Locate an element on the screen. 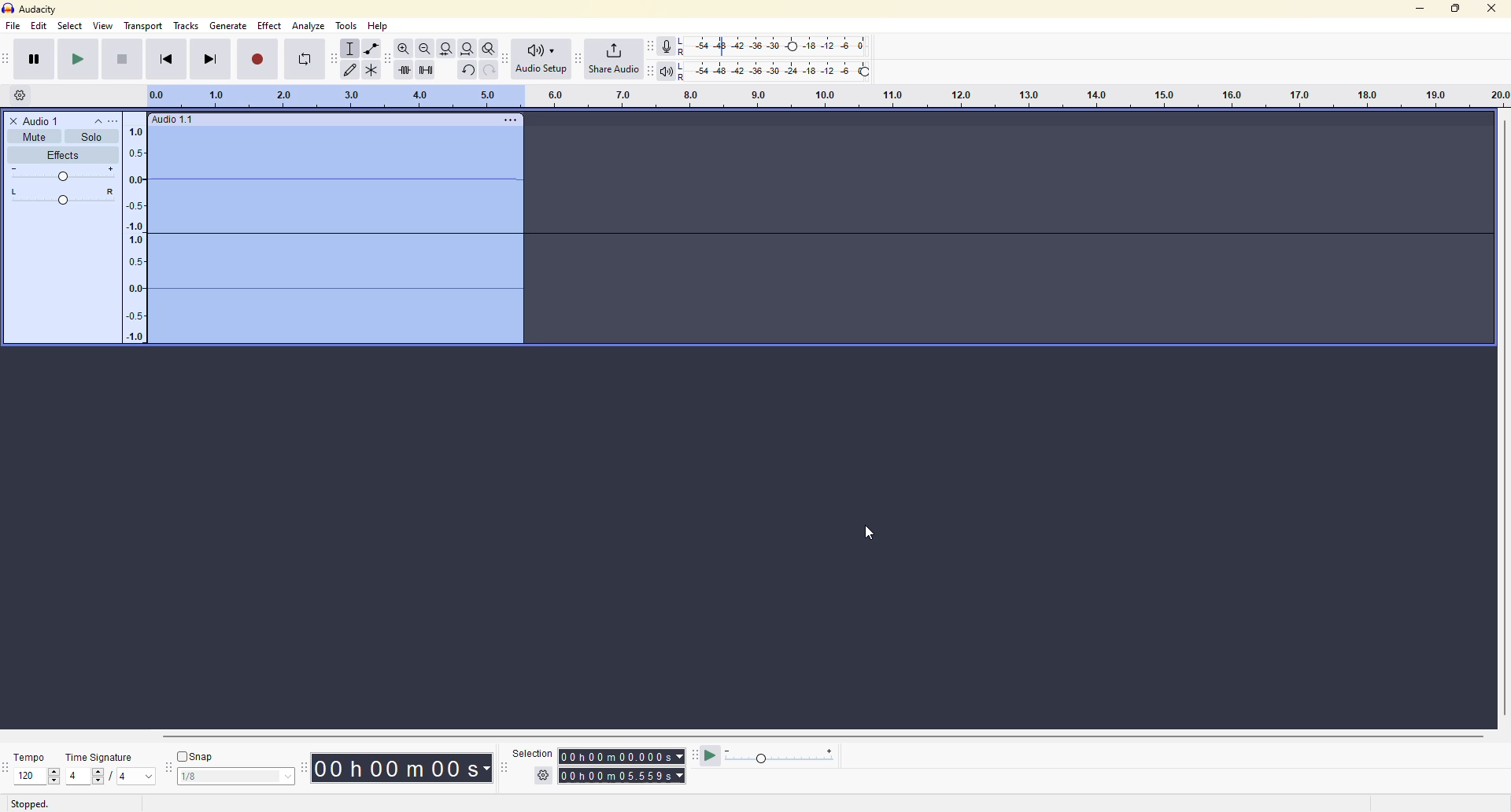 The height and width of the screenshot is (812, 1511). edit is located at coordinates (39, 26).